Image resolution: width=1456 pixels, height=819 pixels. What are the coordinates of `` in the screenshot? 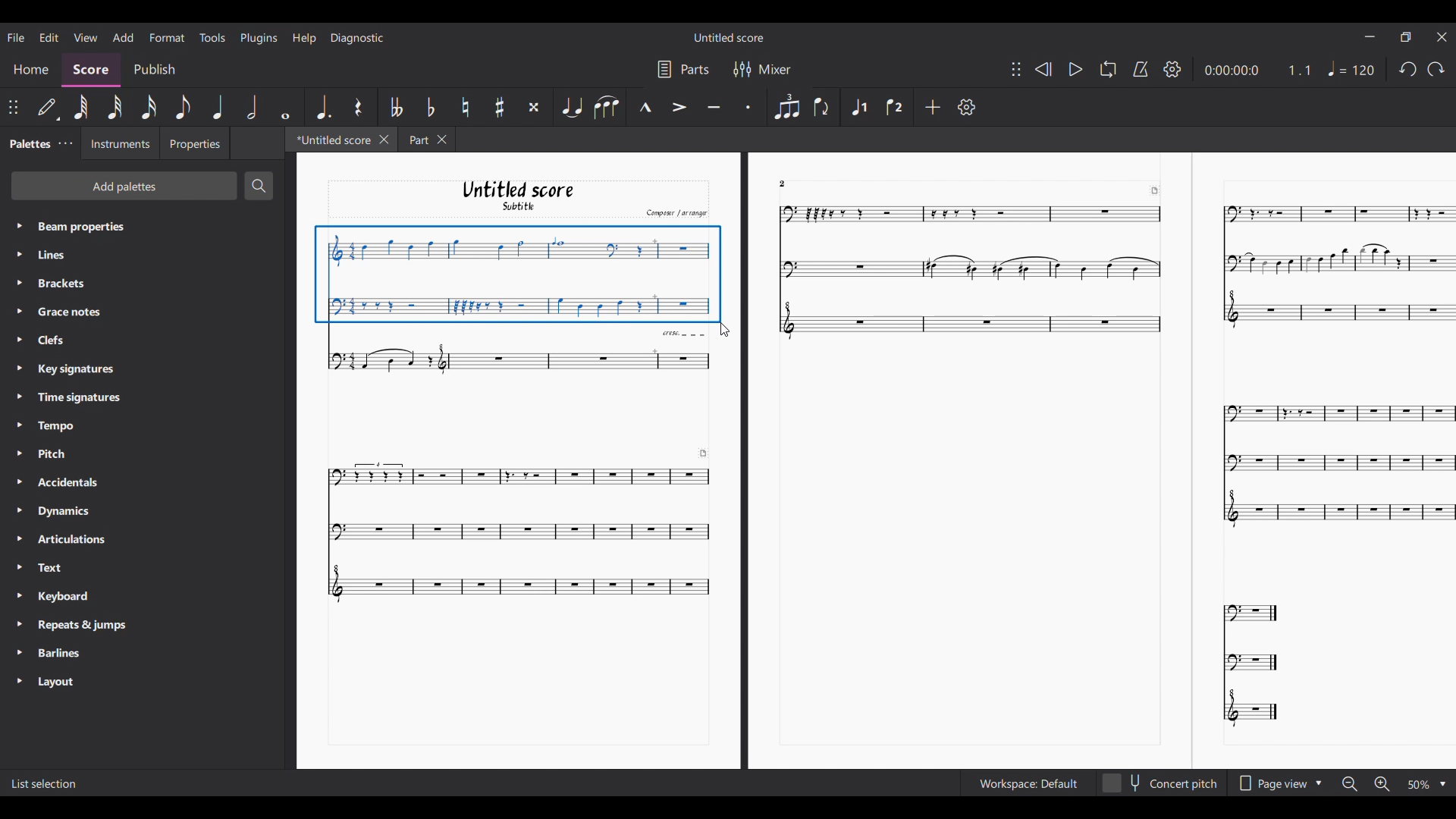 It's located at (21, 428).